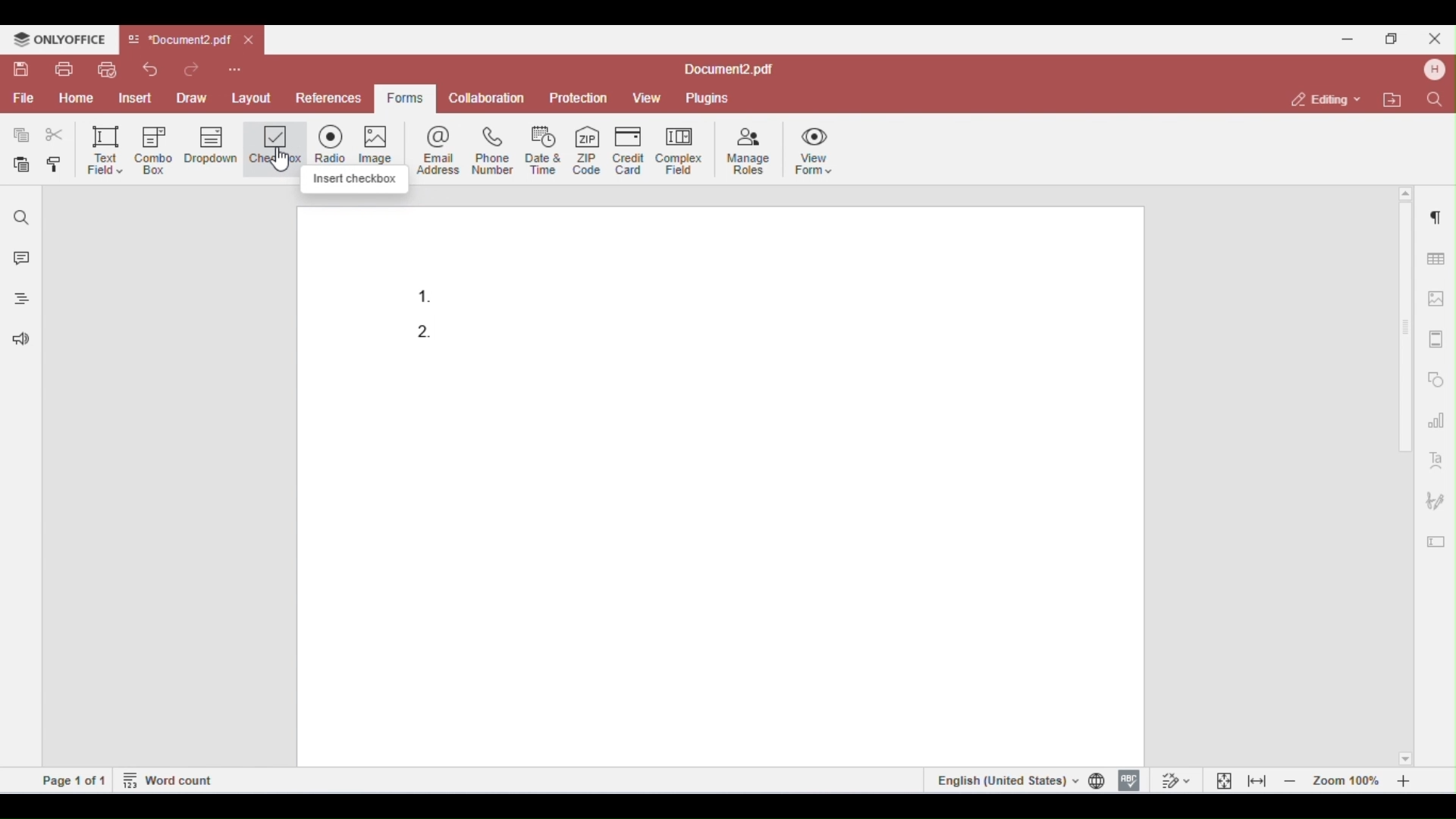 The image size is (1456, 819). I want to click on cursor movement, so click(286, 162).